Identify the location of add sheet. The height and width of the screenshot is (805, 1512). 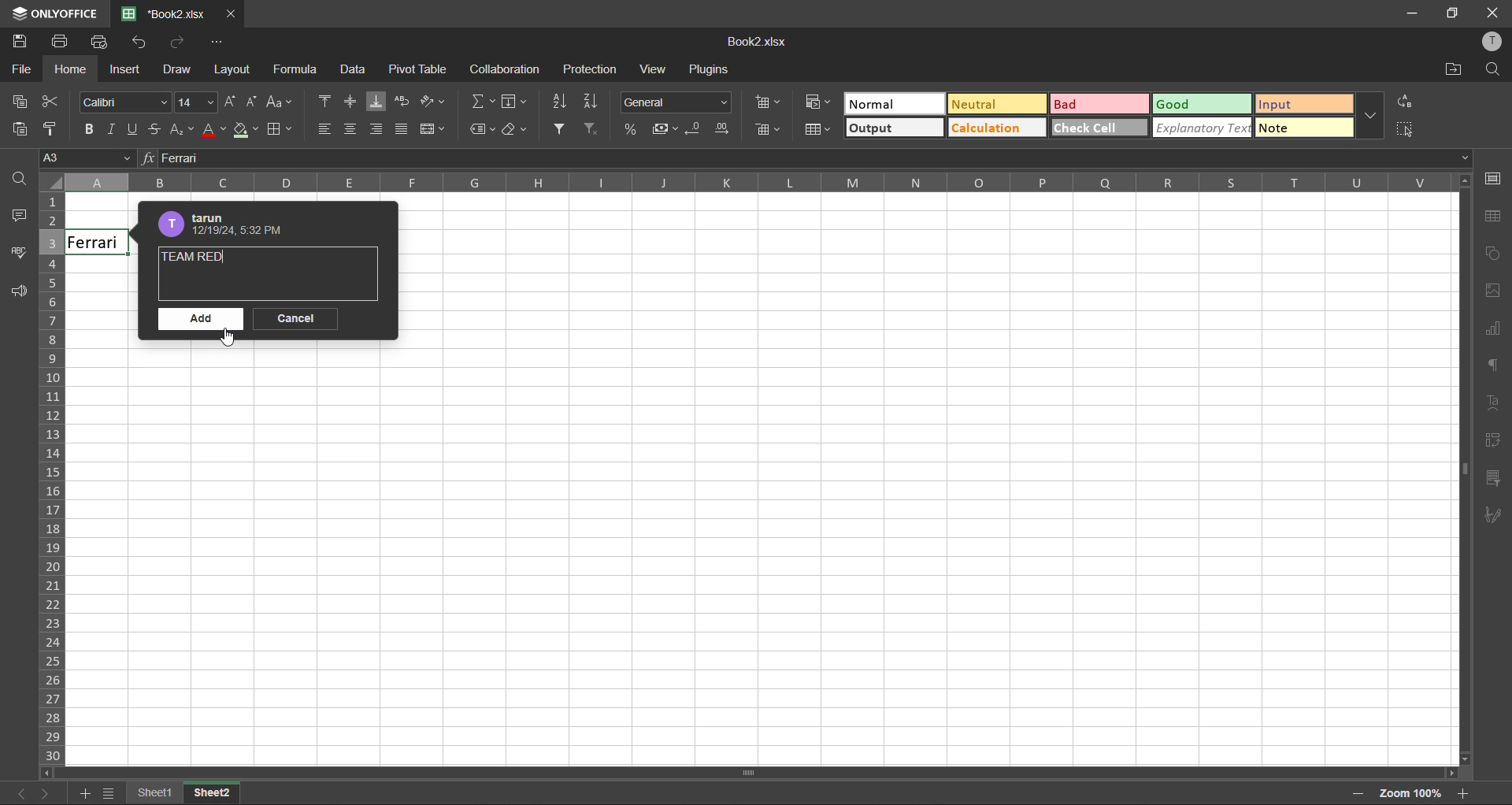
(80, 795).